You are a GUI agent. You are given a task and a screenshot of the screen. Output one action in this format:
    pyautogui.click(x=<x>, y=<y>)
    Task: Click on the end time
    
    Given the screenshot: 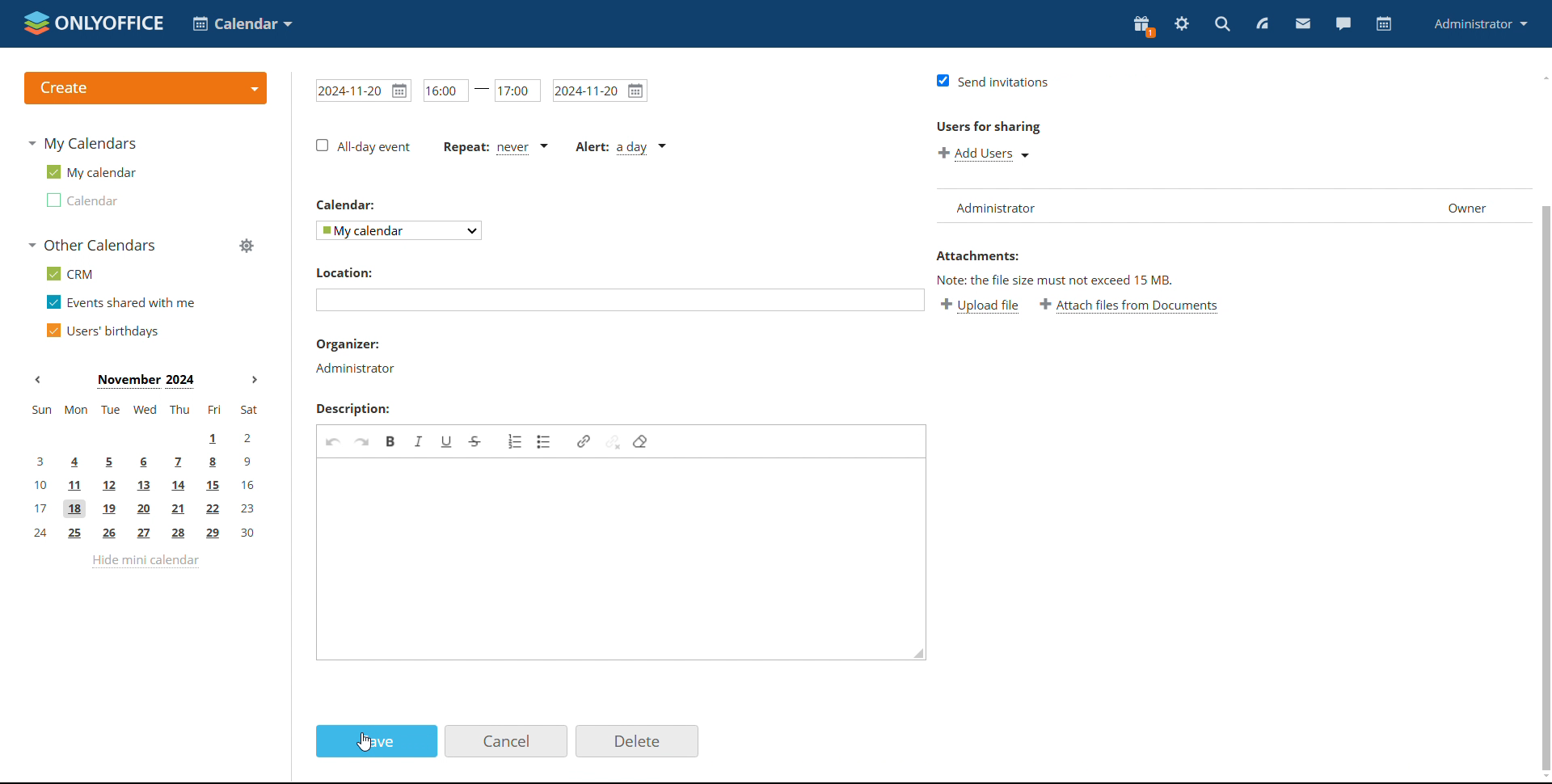 What is the action you would take?
    pyautogui.click(x=518, y=90)
    